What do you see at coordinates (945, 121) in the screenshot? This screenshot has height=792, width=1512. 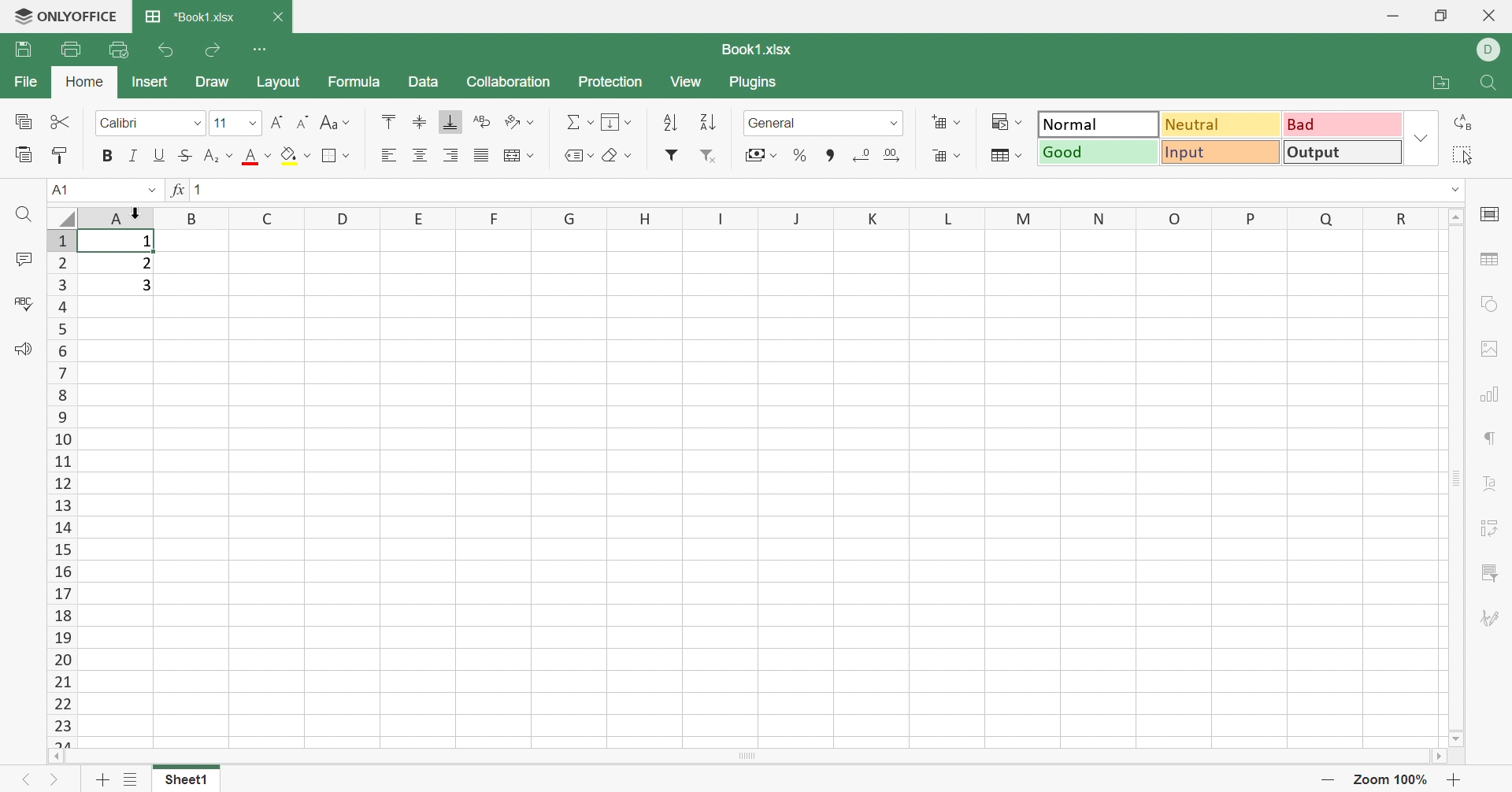 I see `Add cells` at bounding box center [945, 121].